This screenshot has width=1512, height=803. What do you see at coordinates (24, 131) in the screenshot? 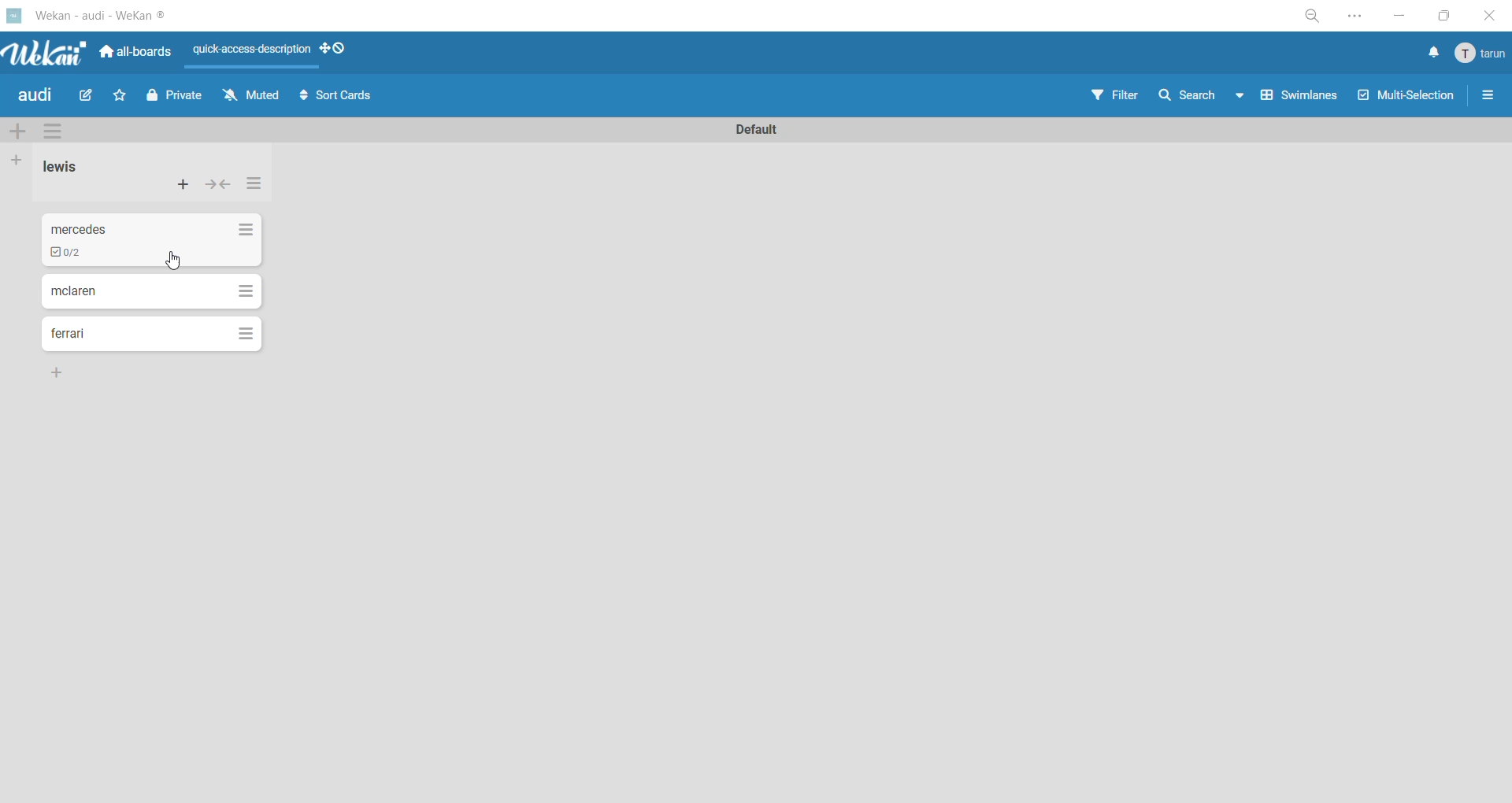
I see `add swimlane` at bounding box center [24, 131].